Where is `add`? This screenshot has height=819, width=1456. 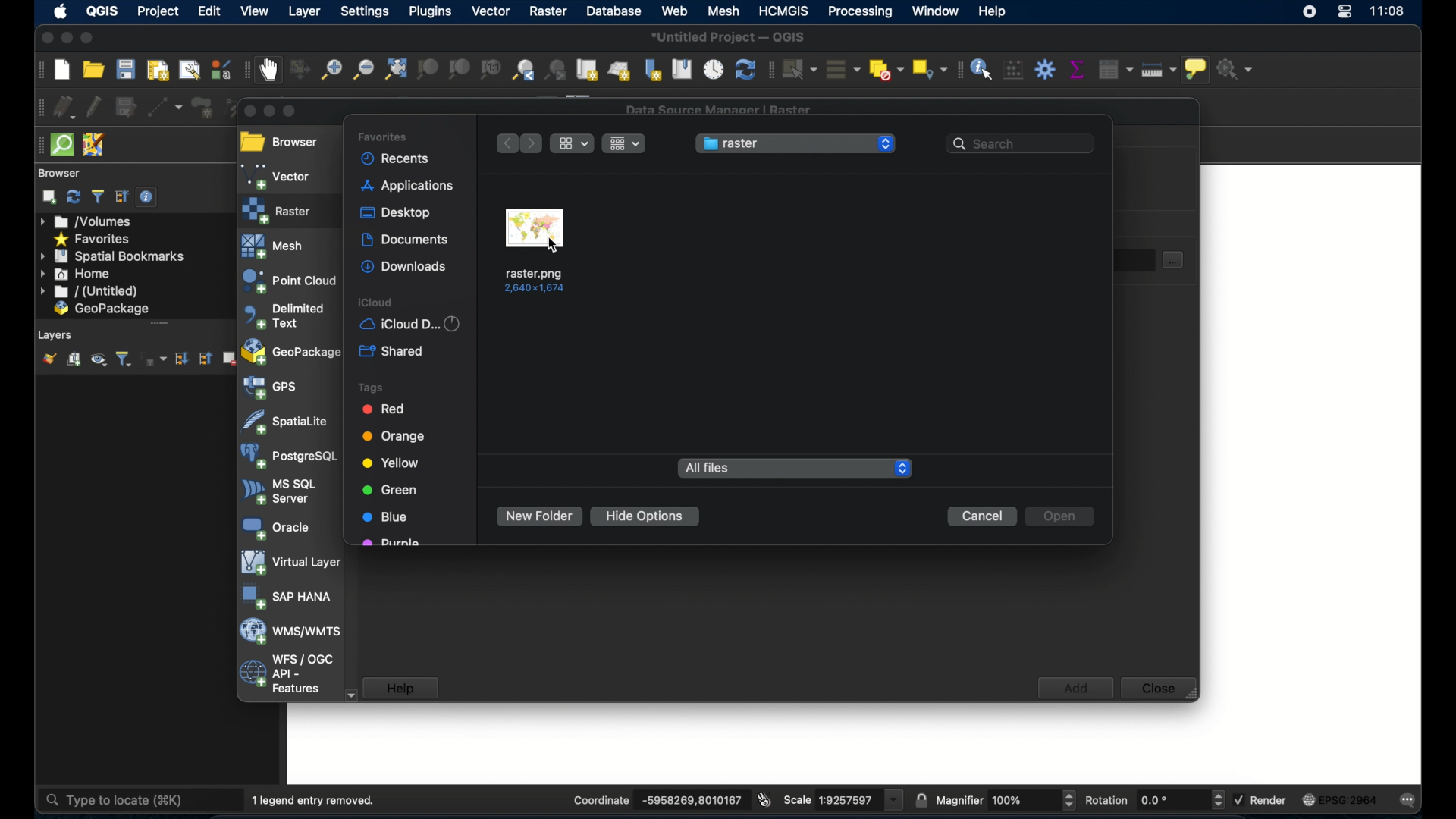 add is located at coordinates (1073, 688).